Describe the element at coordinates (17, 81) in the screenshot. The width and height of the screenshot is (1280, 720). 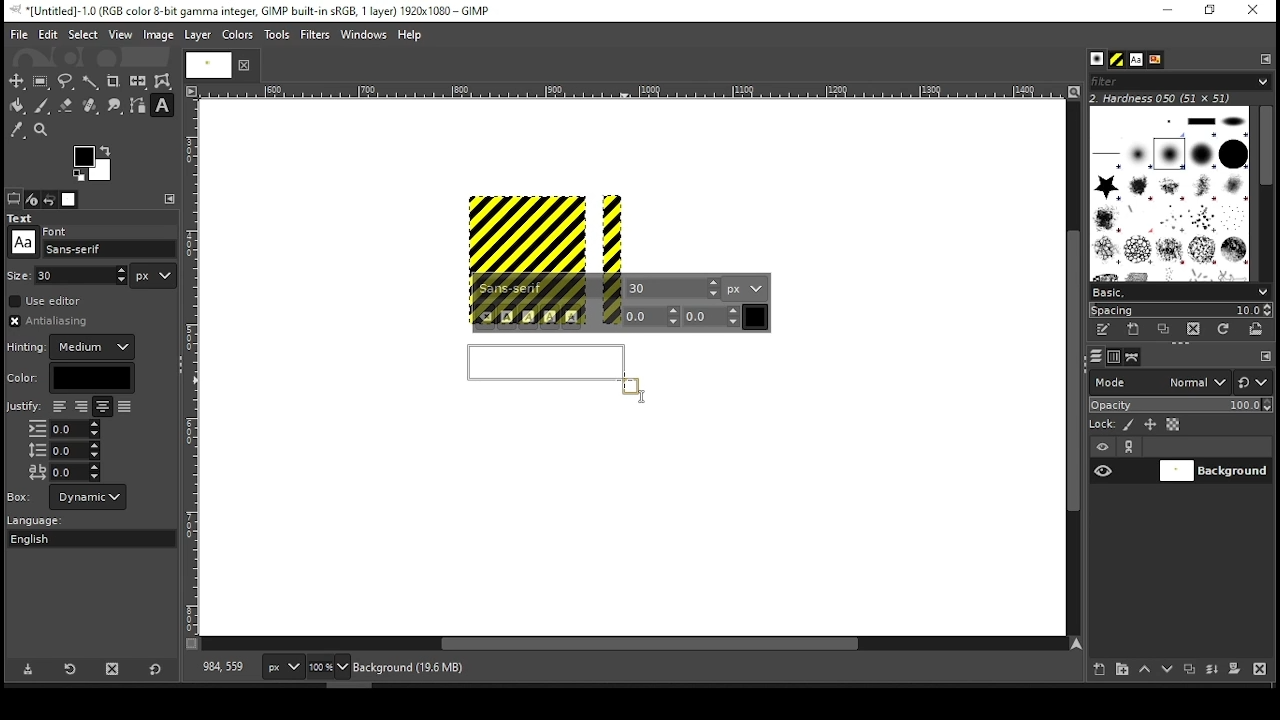
I see `selection tool` at that location.